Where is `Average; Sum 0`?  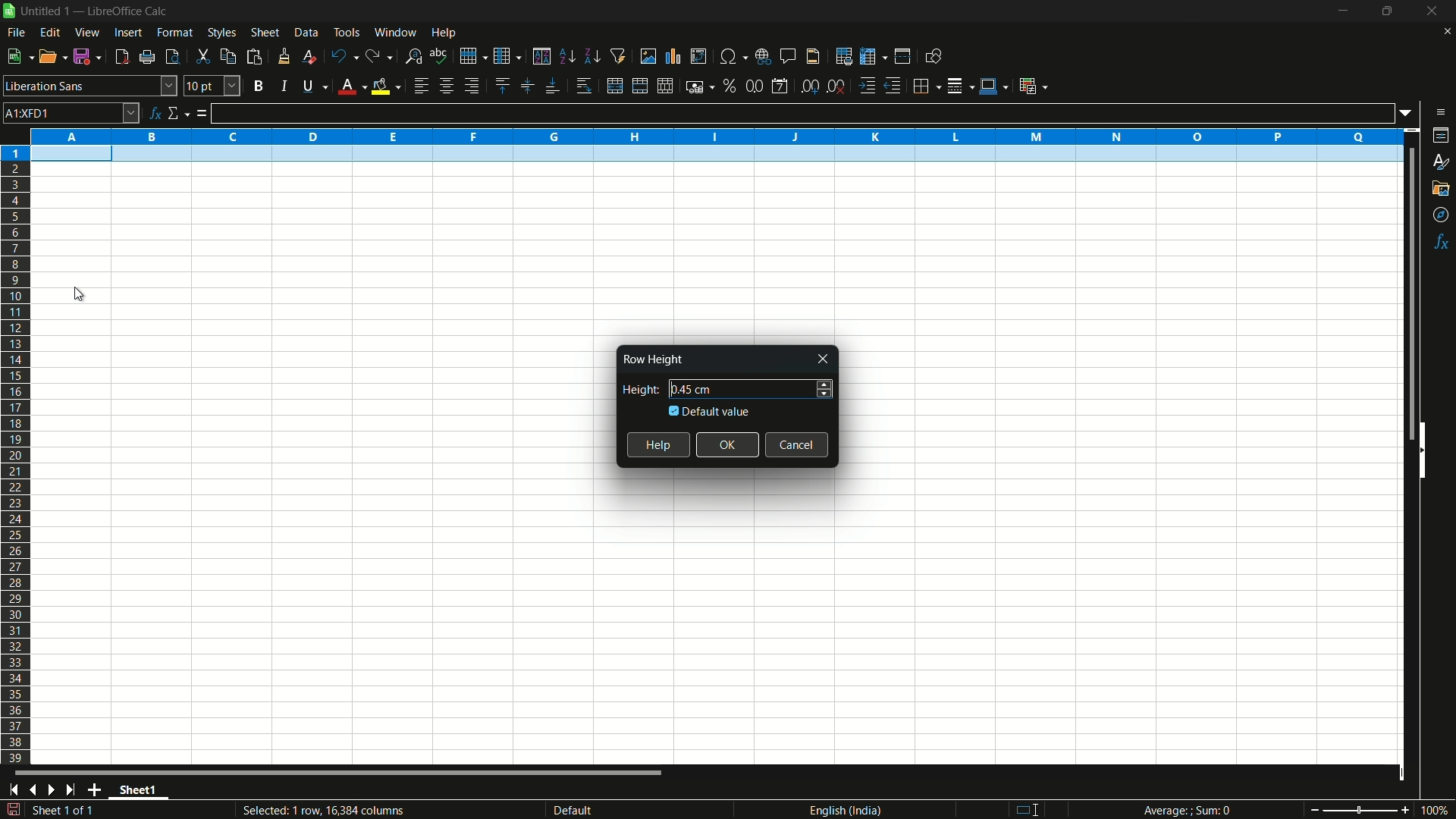 Average; Sum 0 is located at coordinates (1188, 811).